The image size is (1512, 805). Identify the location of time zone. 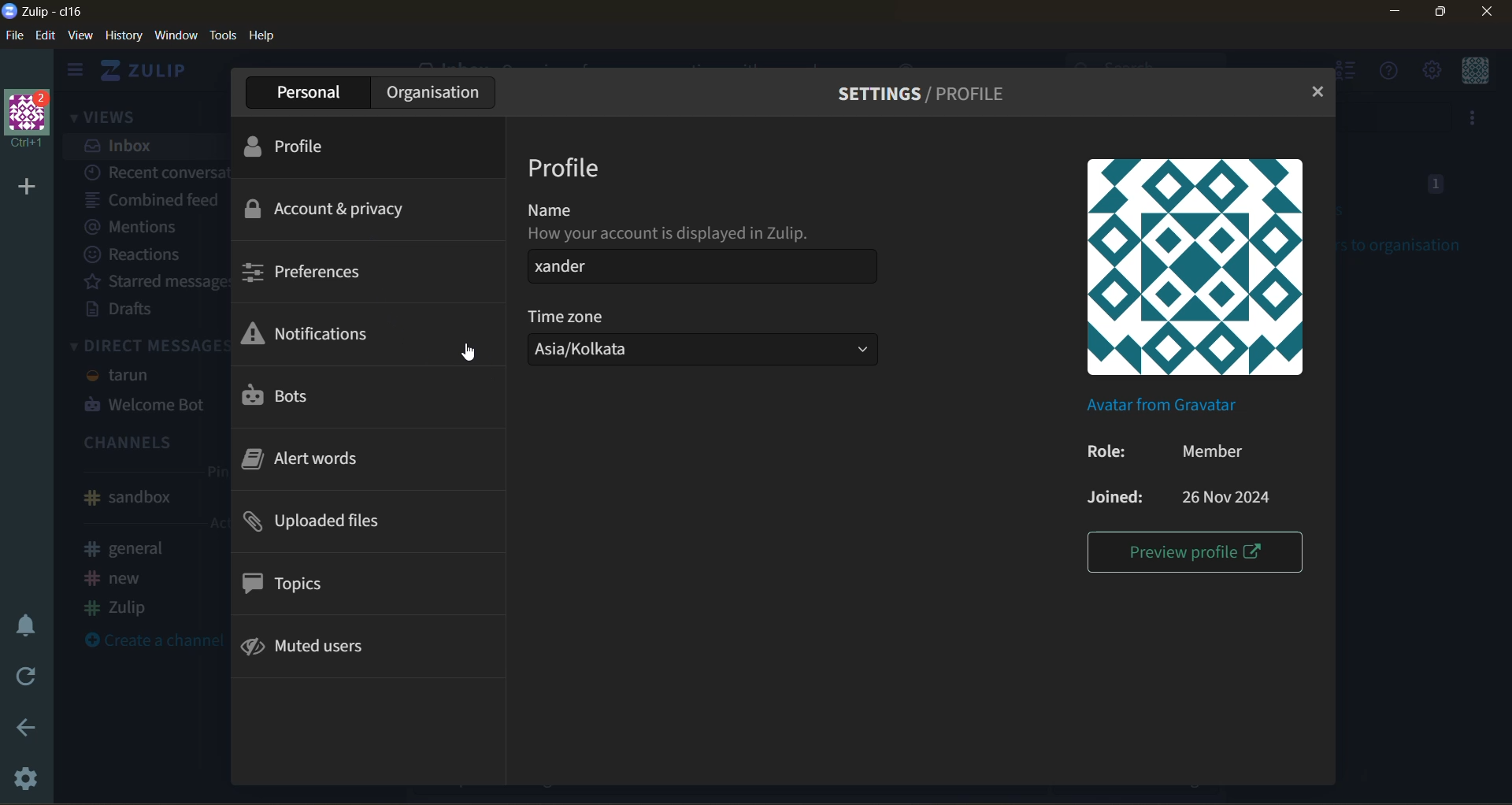
(716, 344).